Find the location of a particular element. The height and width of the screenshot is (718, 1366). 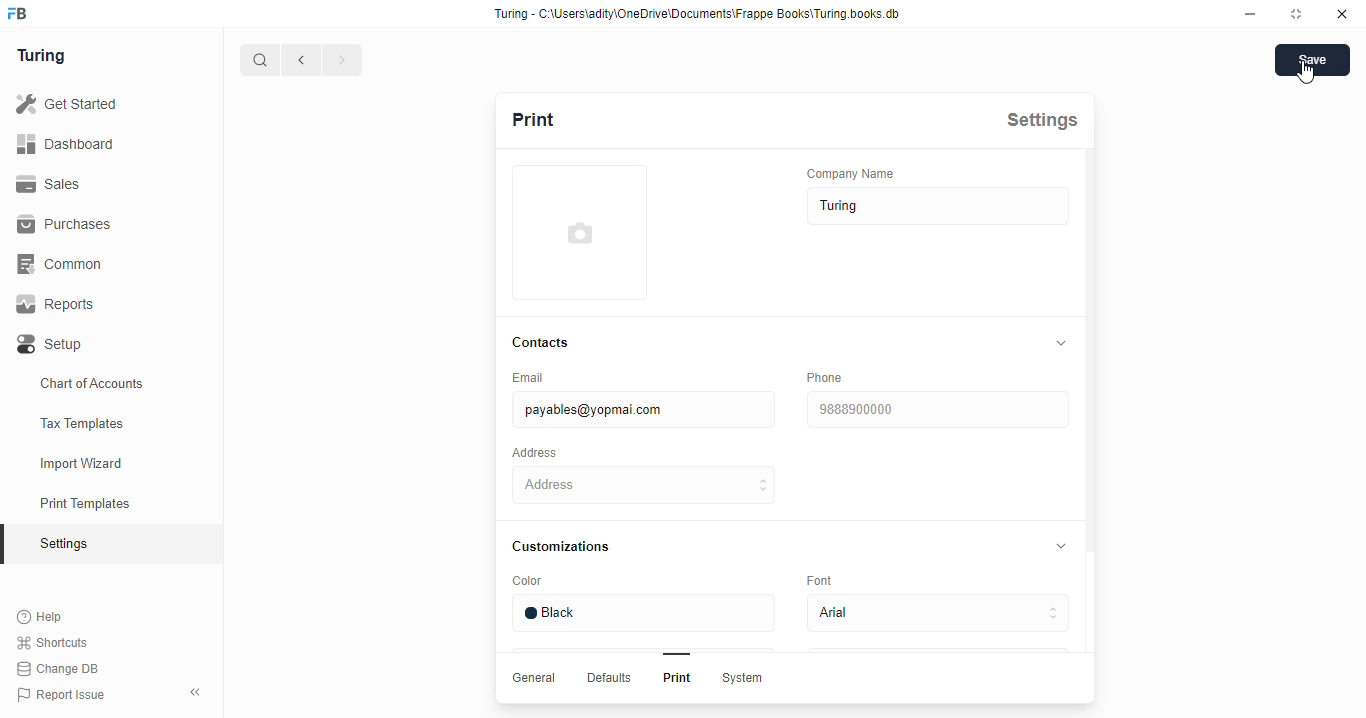

Font is located at coordinates (842, 581).